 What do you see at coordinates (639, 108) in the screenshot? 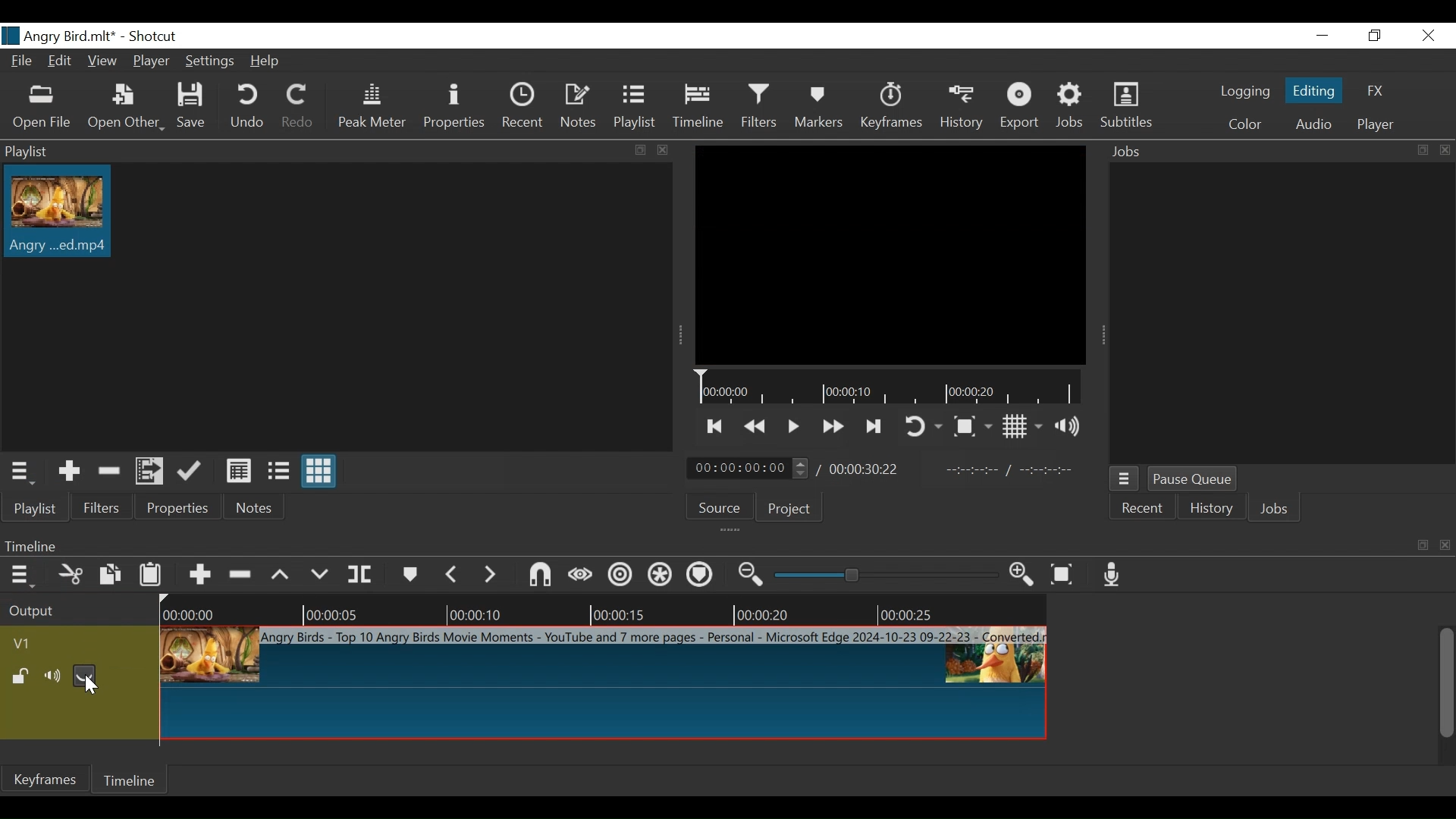
I see `Playlist` at bounding box center [639, 108].